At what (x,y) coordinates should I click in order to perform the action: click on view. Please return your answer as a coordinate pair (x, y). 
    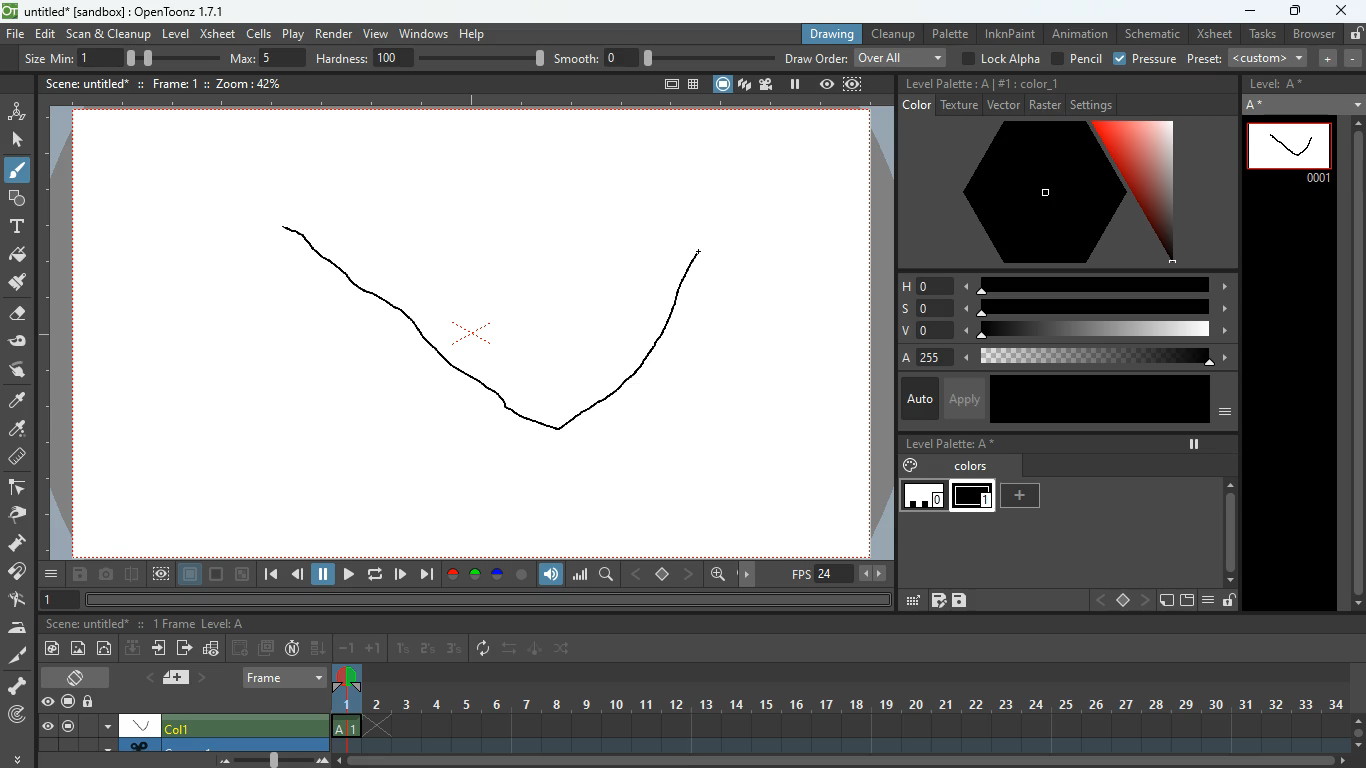
    Looking at the image, I should click on (47, 702).